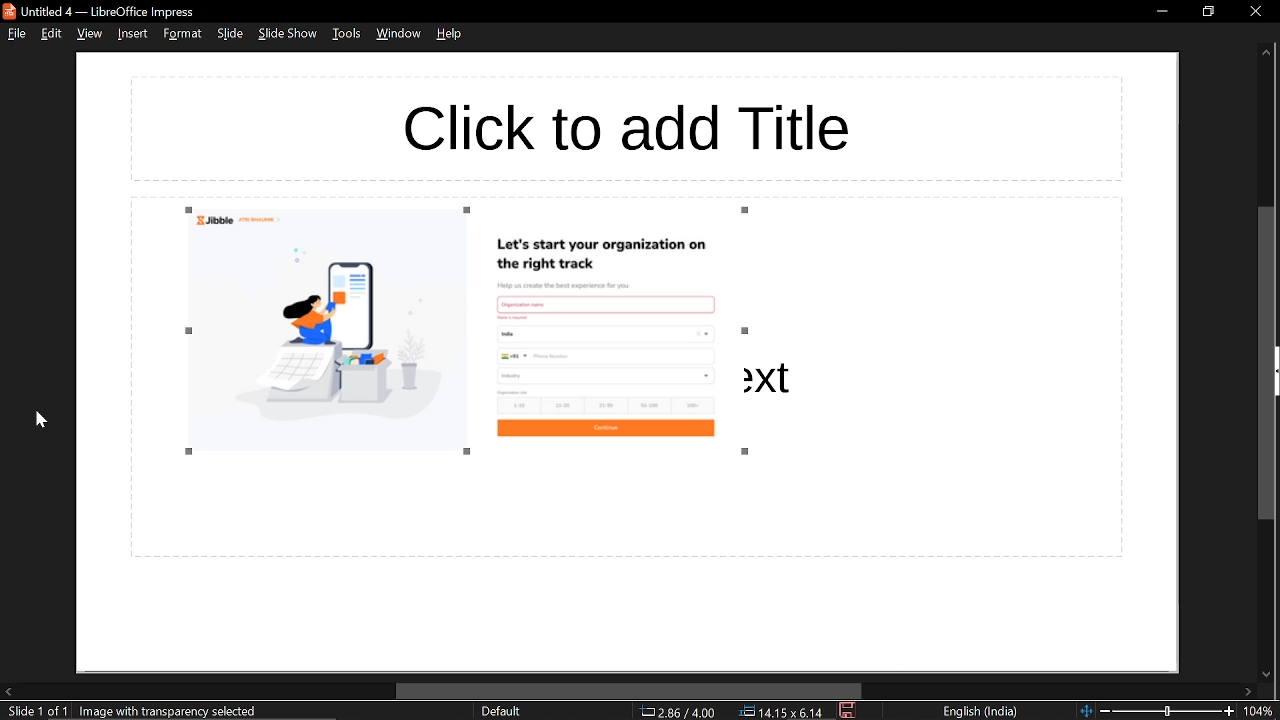 The image size is (1280, 720). I want to click on window, so click(401, 34).